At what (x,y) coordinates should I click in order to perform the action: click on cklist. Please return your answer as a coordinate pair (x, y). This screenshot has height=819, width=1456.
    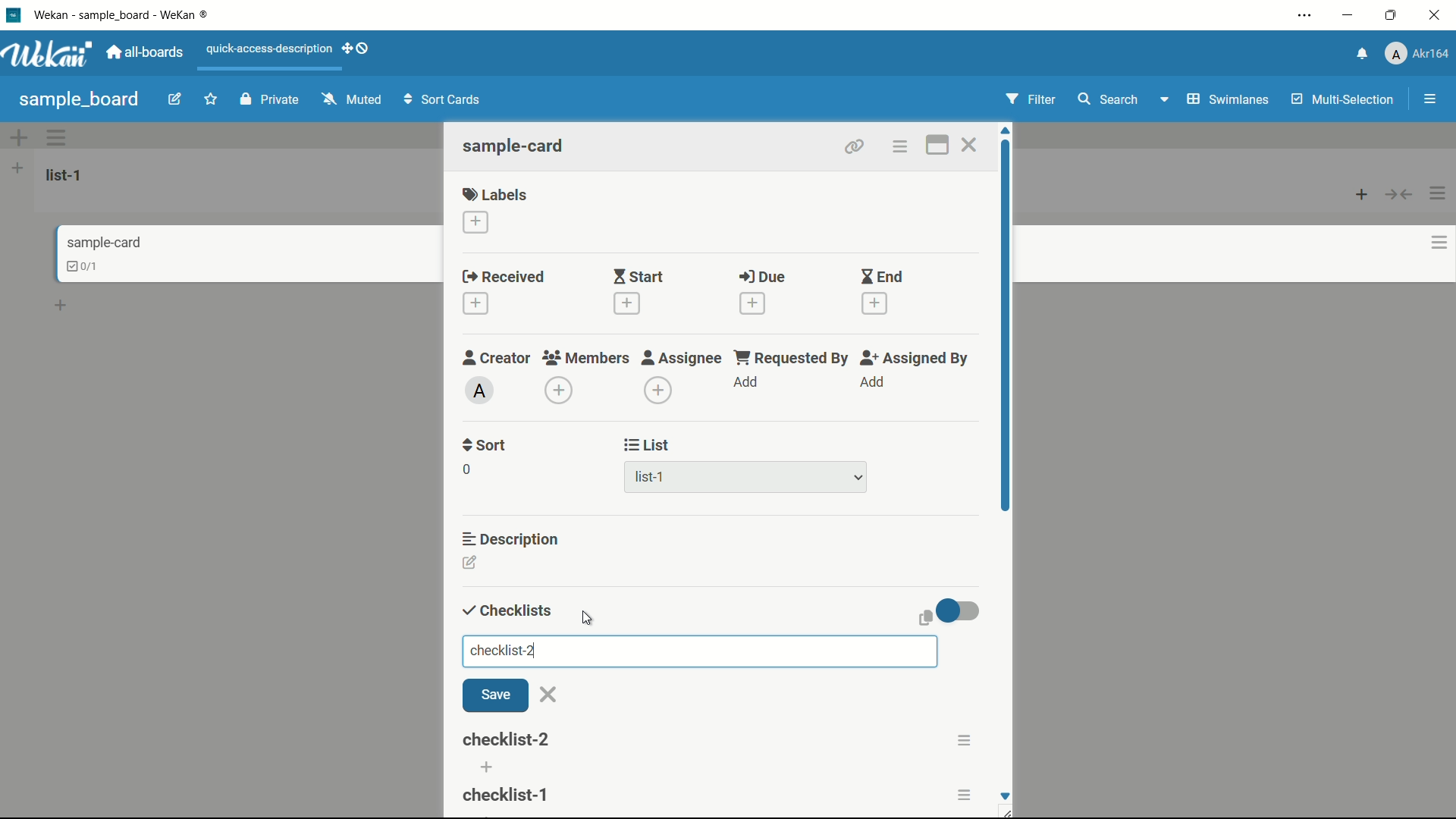
    Looking at the image, I should click on (84, 266).